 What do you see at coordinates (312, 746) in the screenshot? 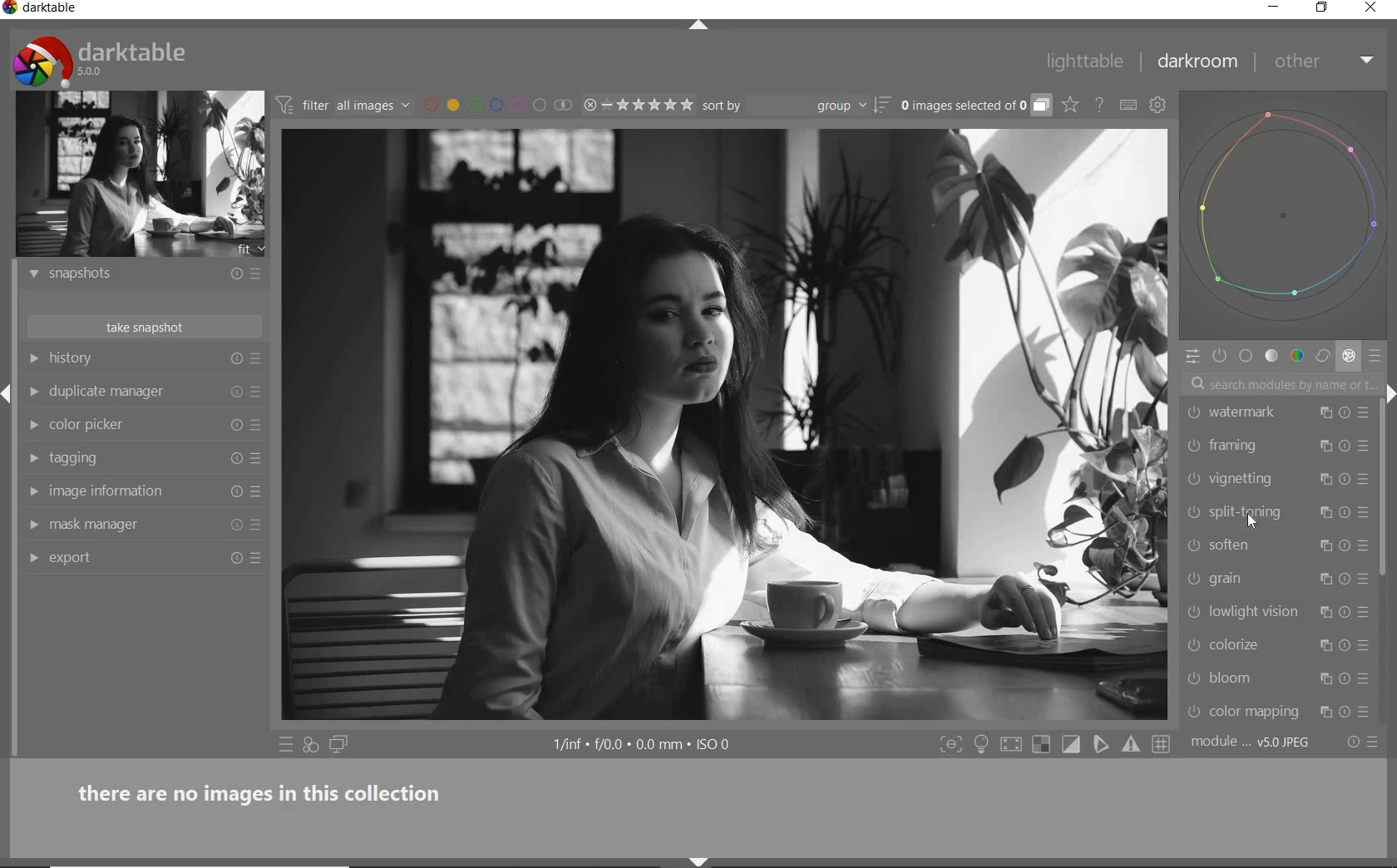
I see `quick access for applying any of your styles` at bounding box center [312, 746].